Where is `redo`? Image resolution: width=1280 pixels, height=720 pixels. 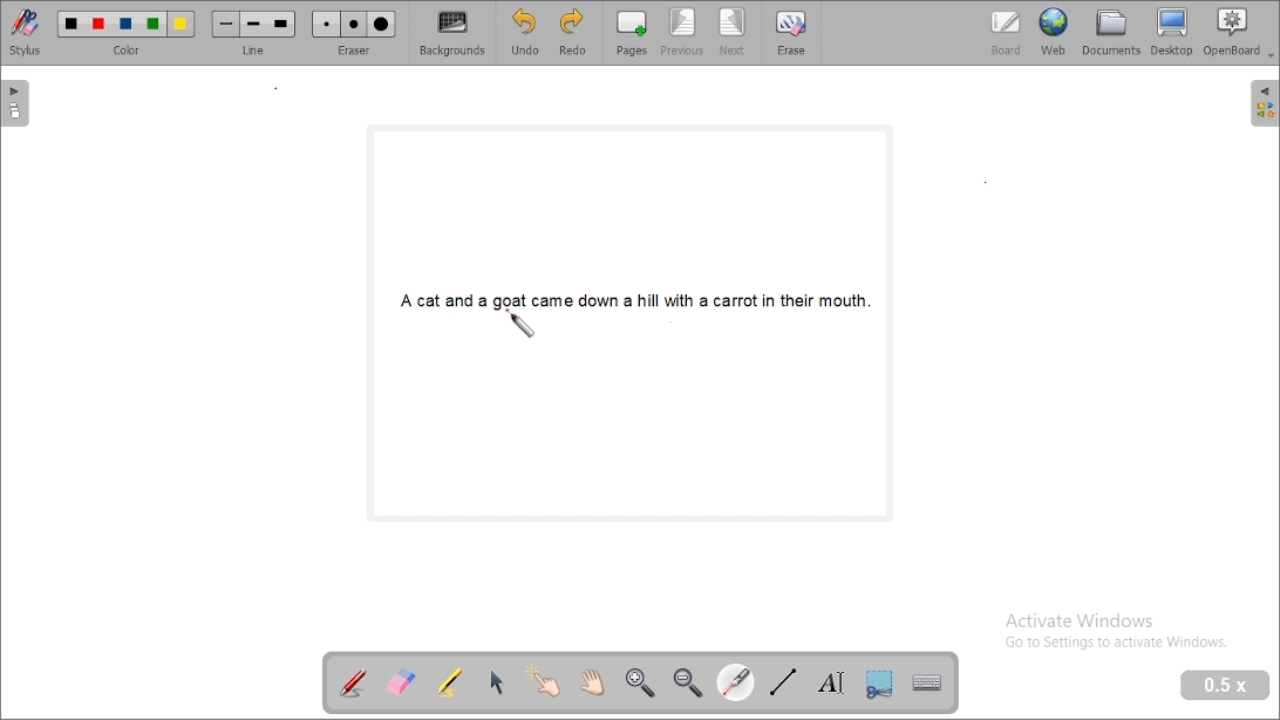
redo is located at coordinates (573, 34).